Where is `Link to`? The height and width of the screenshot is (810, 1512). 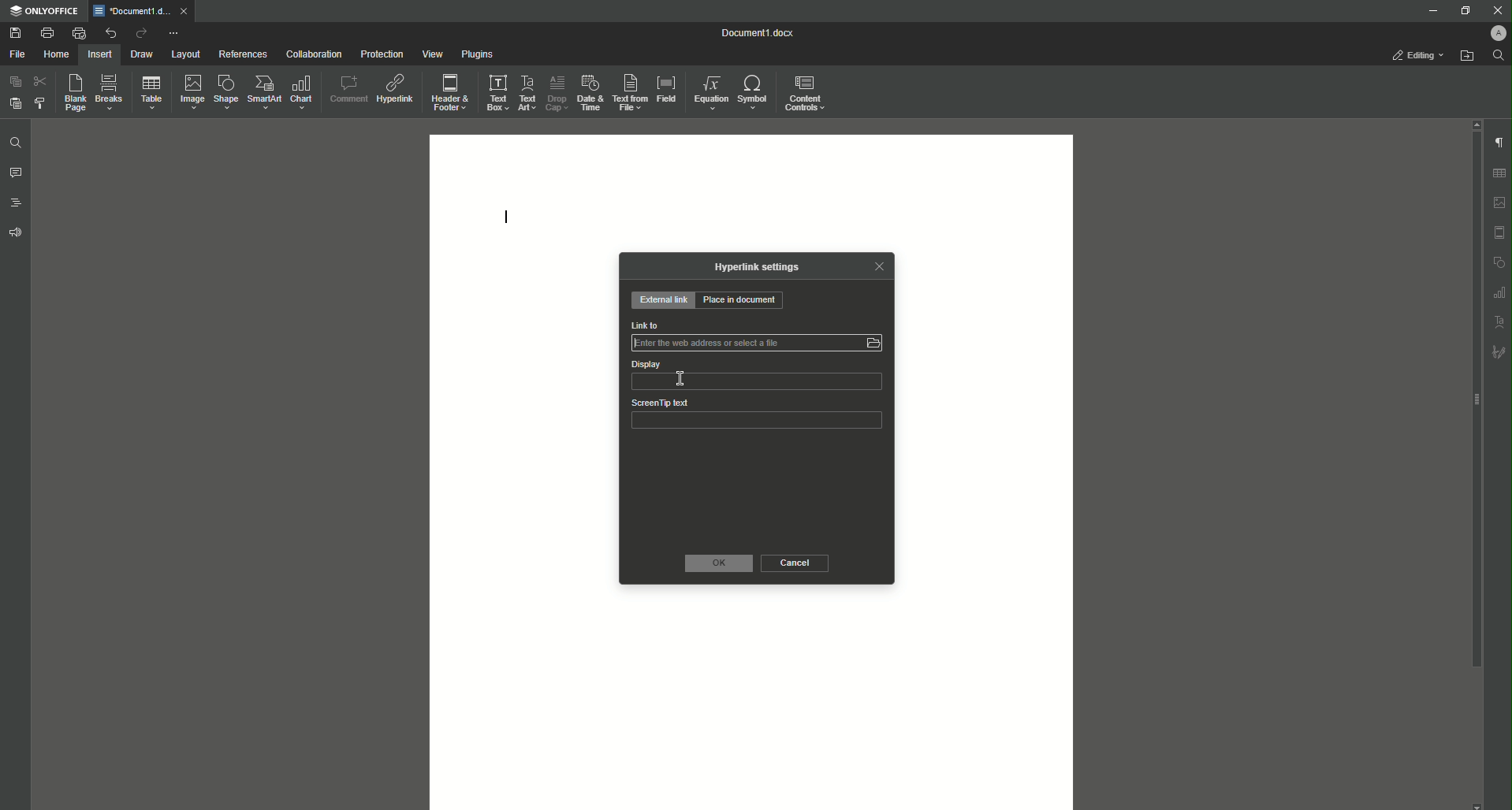 Link to is located at coordinates (758, 345).